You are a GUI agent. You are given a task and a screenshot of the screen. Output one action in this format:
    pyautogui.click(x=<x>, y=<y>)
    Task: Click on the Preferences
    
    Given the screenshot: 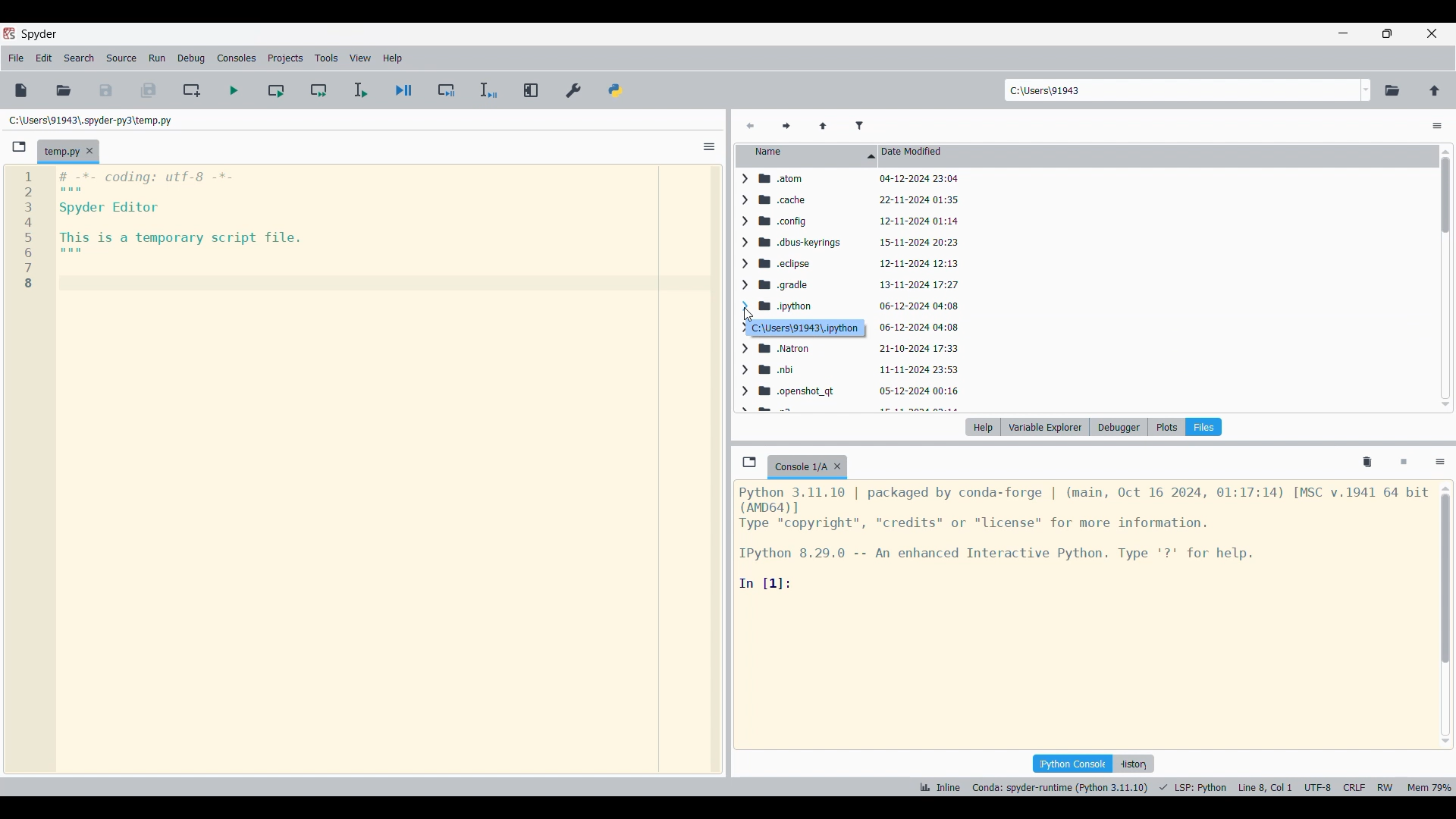 What is the action you would take?
    pyautogui.click(x=574, y=91)
    